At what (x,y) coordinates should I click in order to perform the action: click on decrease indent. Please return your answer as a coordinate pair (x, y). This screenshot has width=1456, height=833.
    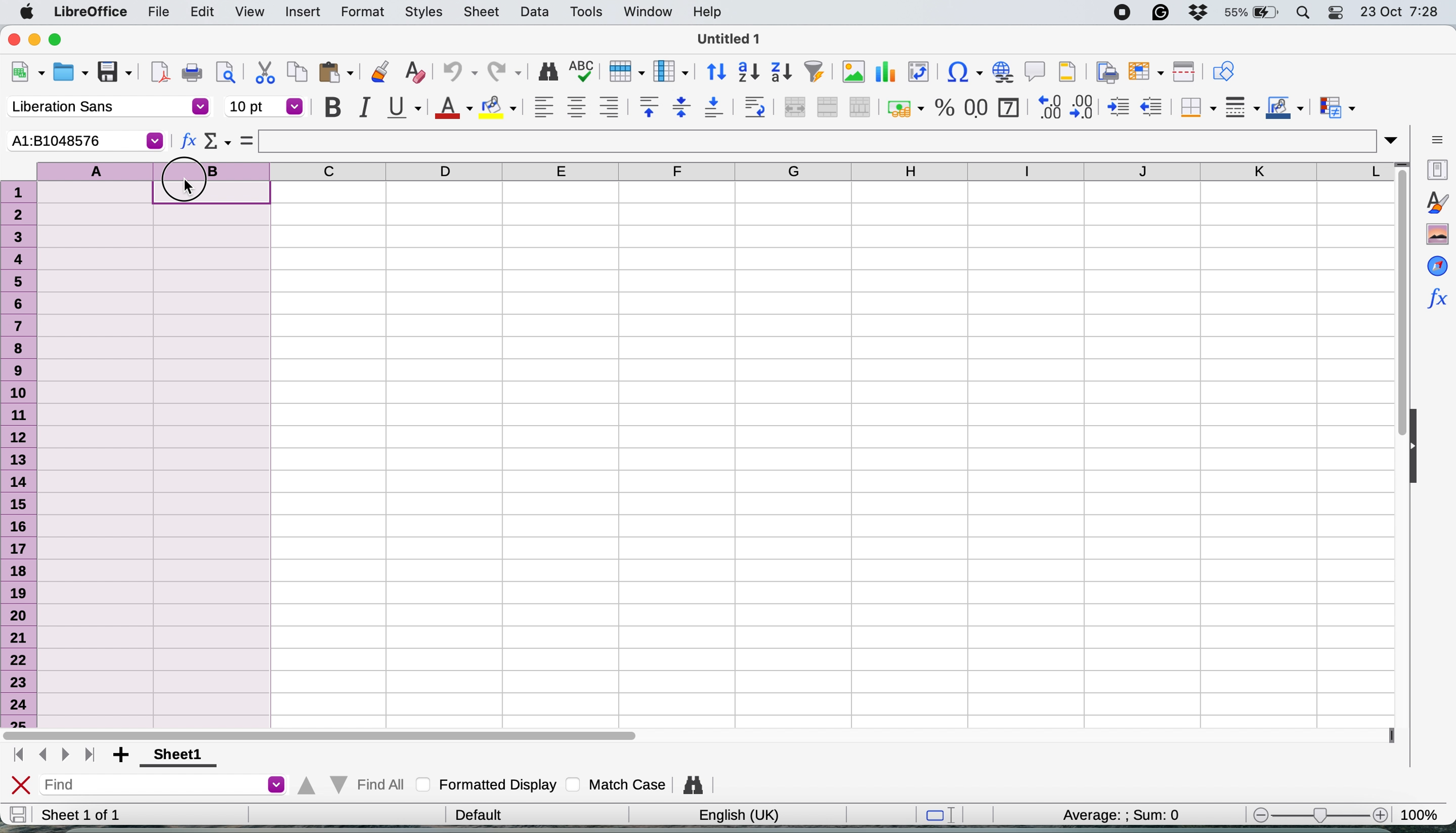
    Looking at the image, I should click on (1153, 106).